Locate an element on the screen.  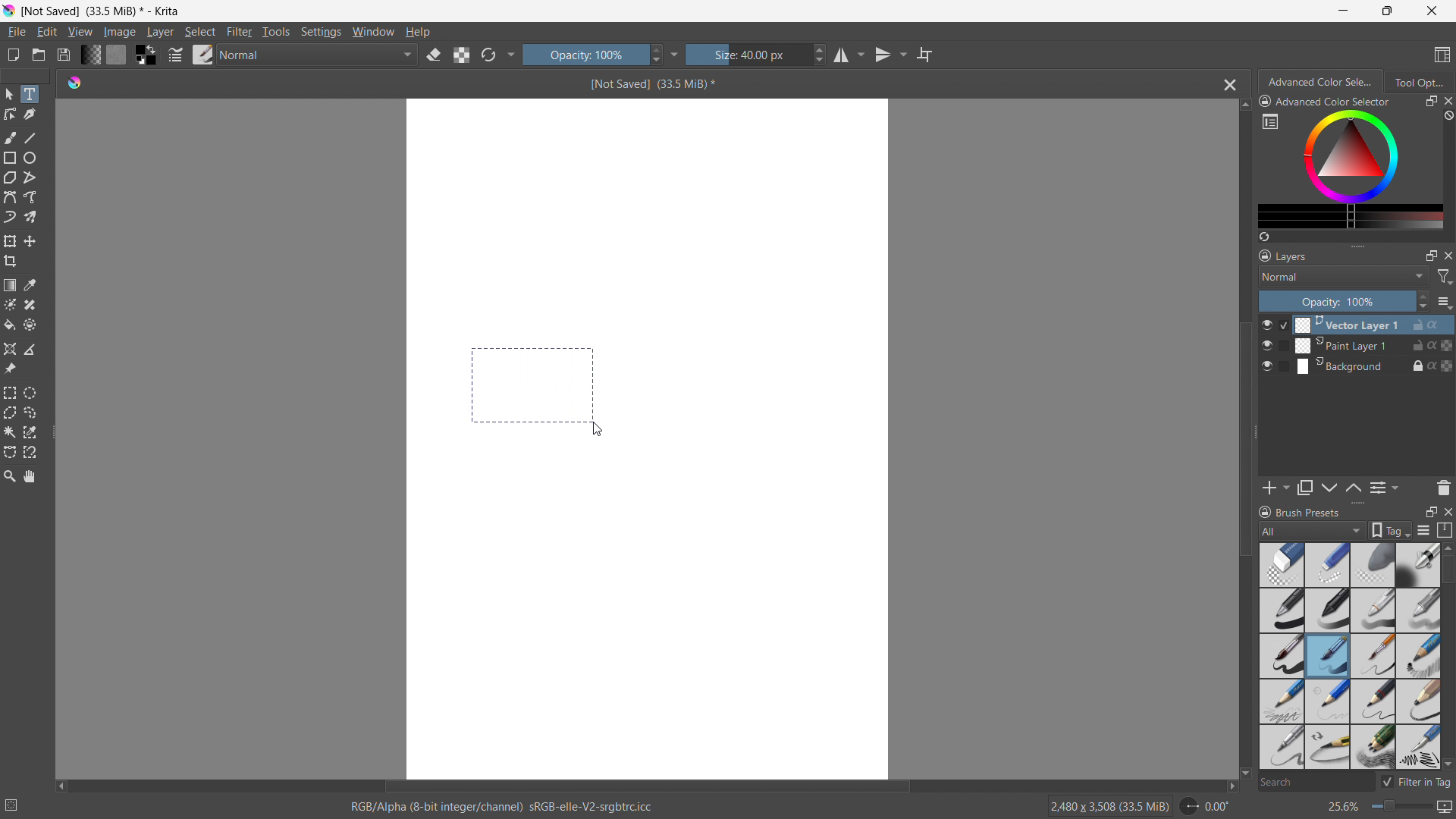
blending mode is located at coordinates (1344, 276).